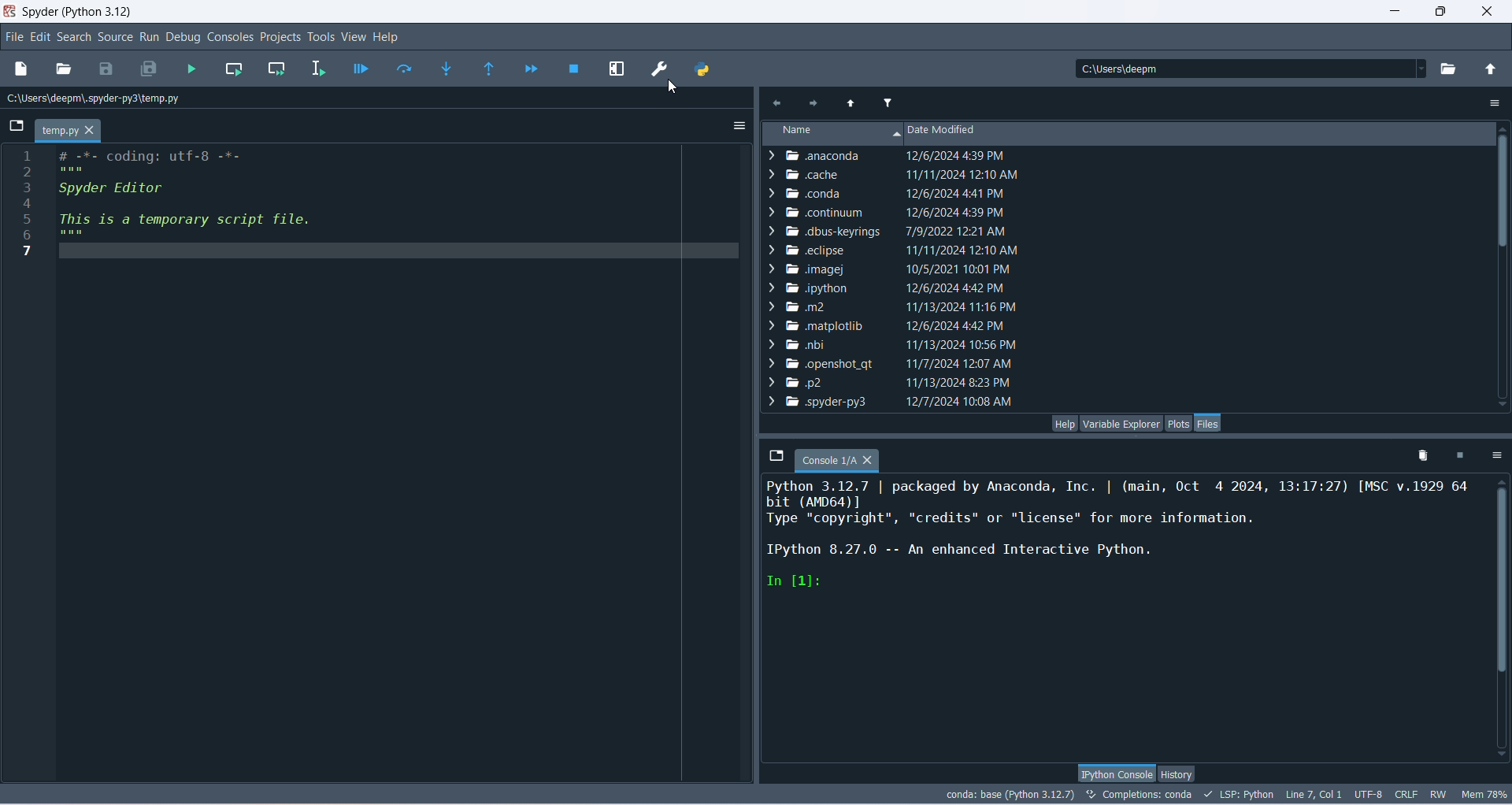 The height and width of the screenshot is (805, 1512). Describe the element at coordinates (893, 210) in the screenshot. I see `folder details` at that location.